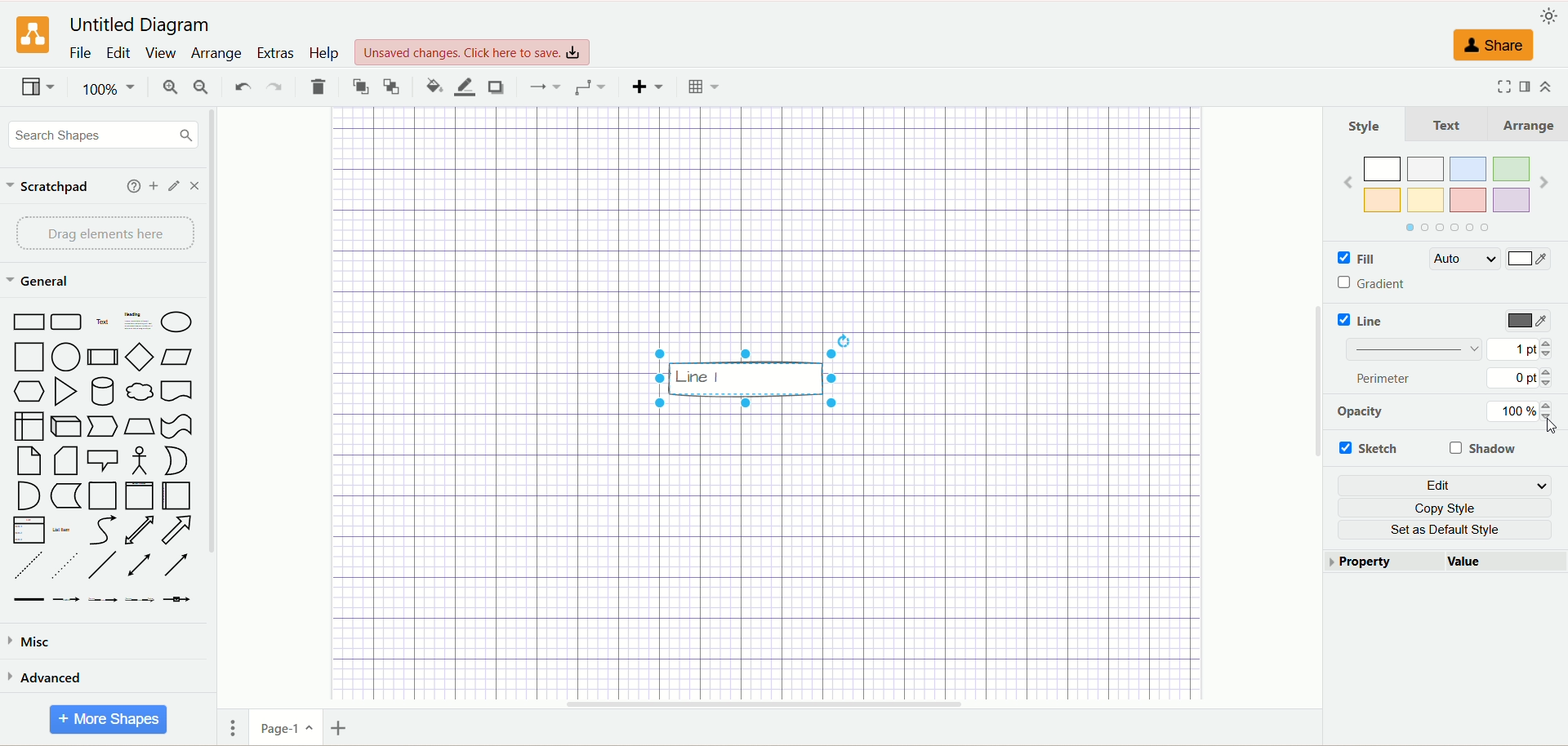 This screenshot has width=1568, height=746. Describe the element at coordinates (1446, 195) in the screenshot. I see `Colors` at that location.